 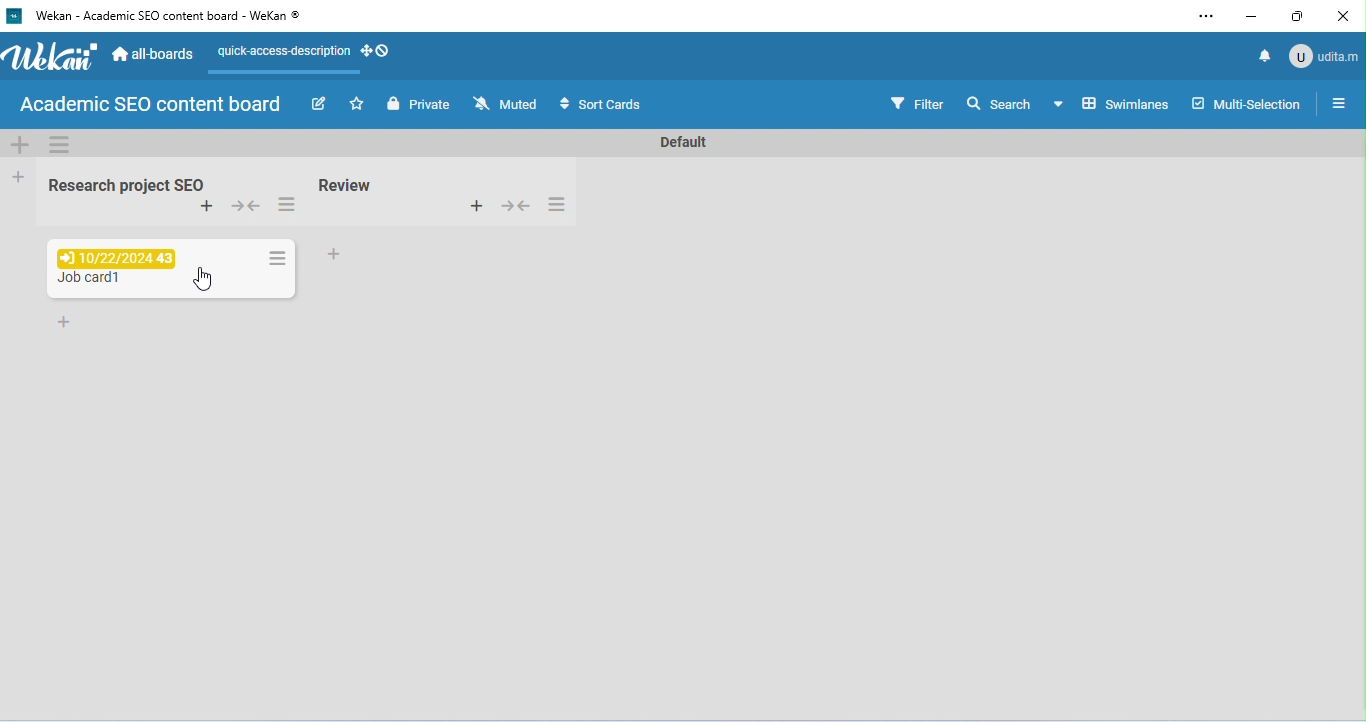 What do you see at coordinates (507, 104) in the screenshot?
I see `muted` at bounding box center [507, 104].